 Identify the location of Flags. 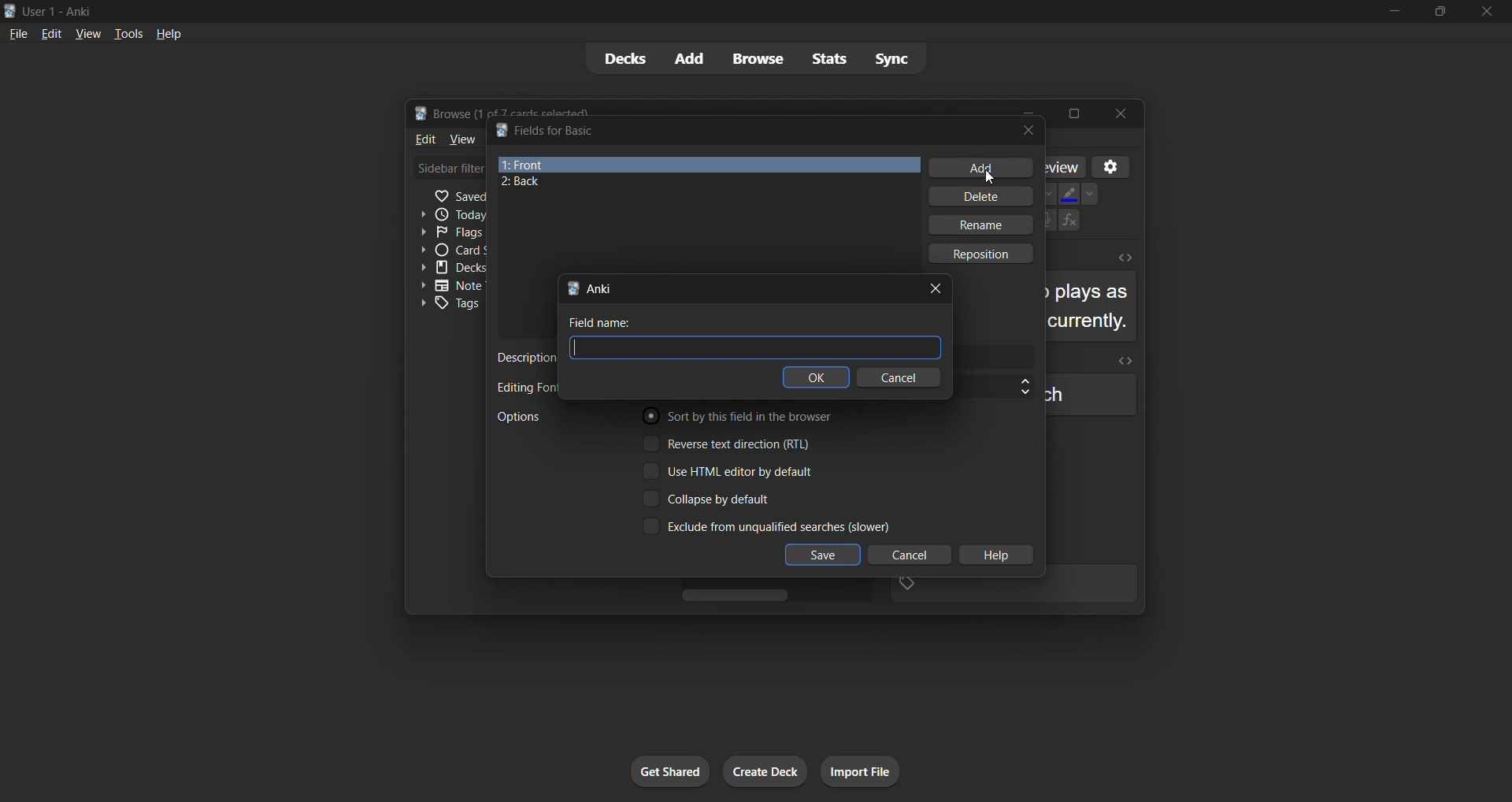
(447, 232).